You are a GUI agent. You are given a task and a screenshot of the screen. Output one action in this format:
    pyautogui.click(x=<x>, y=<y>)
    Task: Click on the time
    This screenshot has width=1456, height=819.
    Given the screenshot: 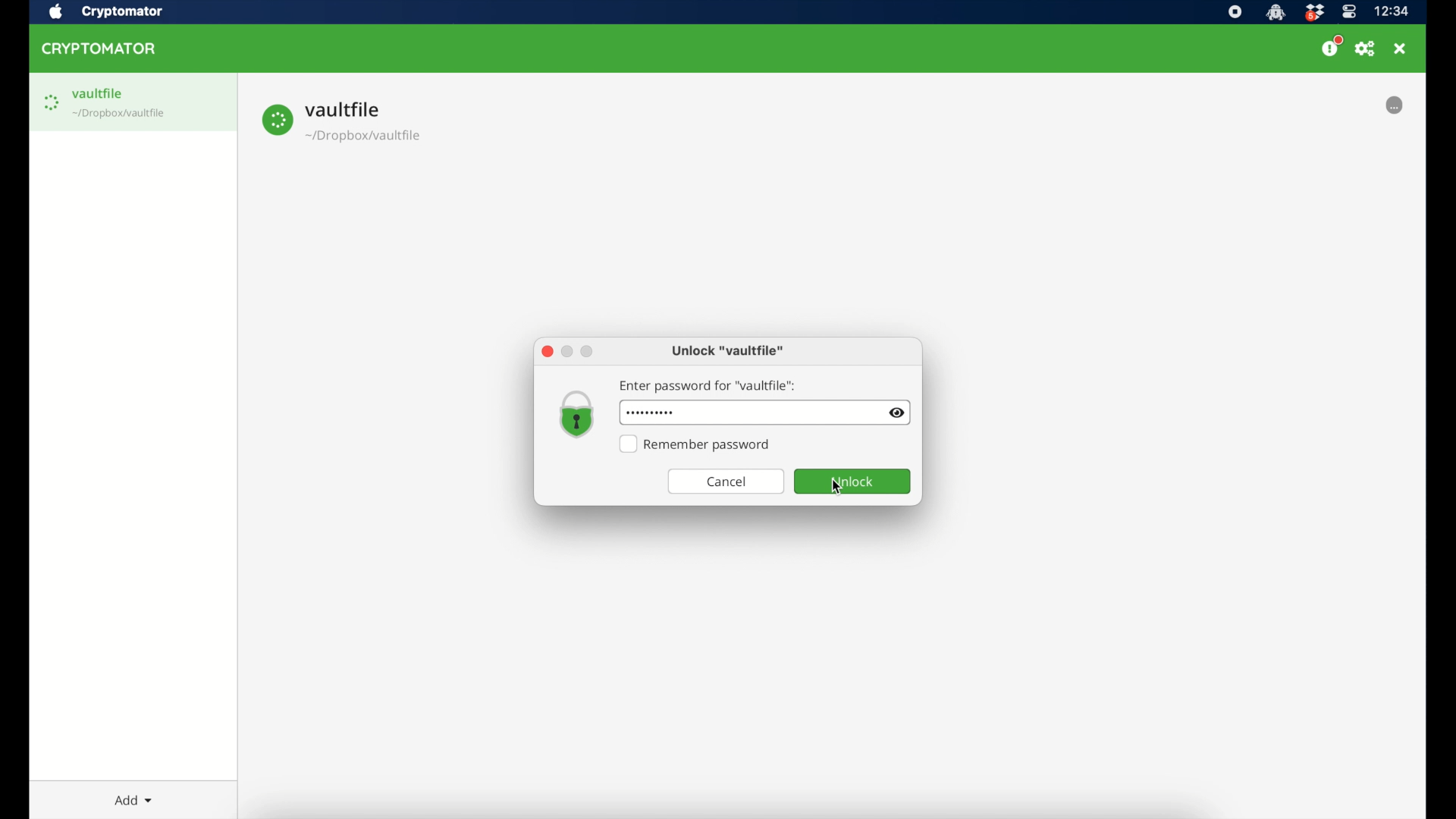 What is the action you would take?
    pyautogui.click(x=1393, y=11)
    